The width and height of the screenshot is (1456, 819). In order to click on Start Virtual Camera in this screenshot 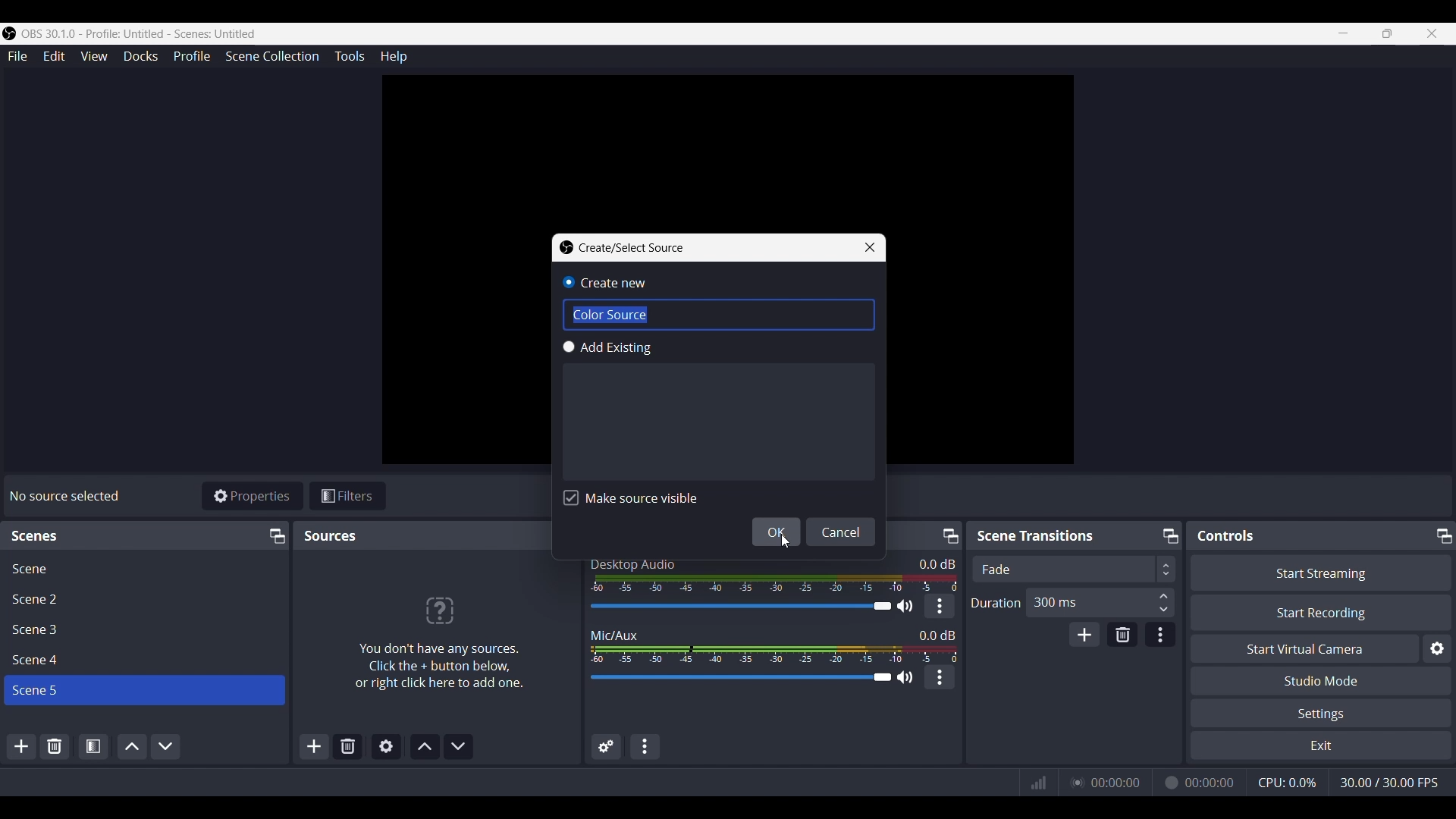, I will do `click(1301, 648)`.